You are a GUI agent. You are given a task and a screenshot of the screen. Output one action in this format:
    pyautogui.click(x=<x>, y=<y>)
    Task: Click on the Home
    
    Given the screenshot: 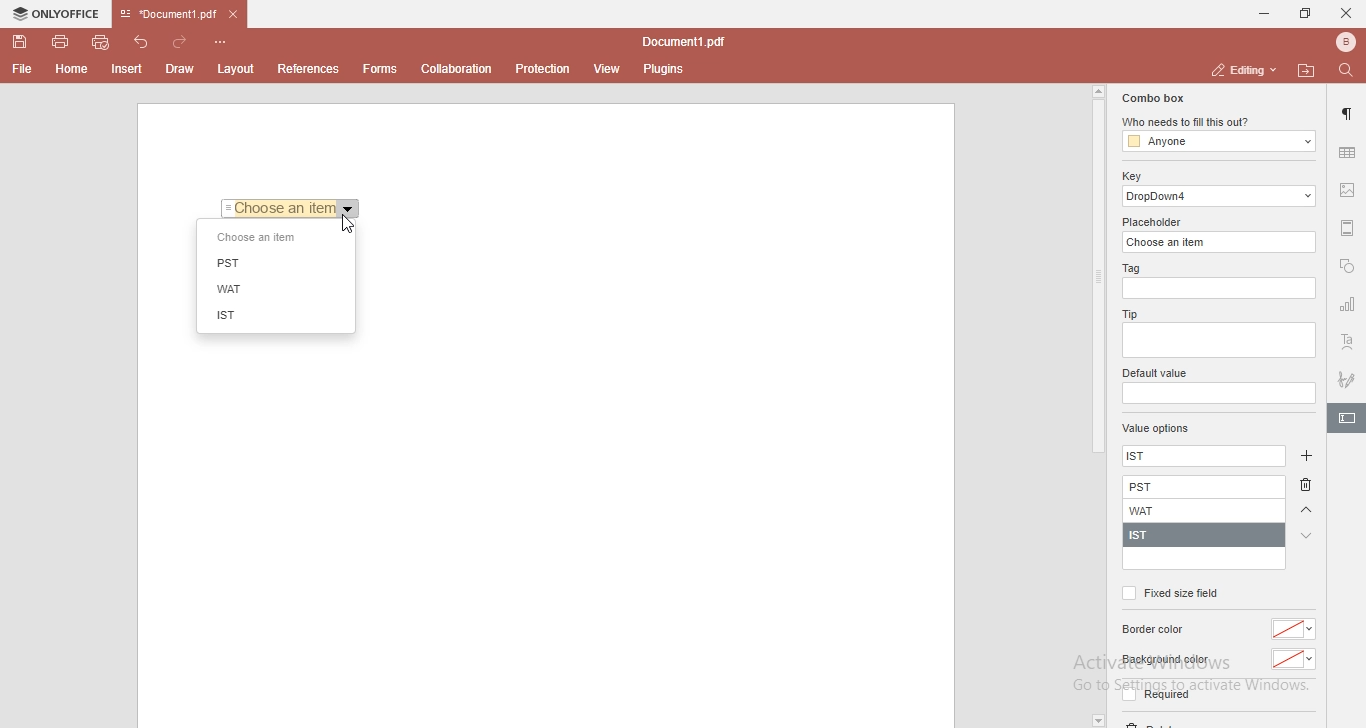 What is the action you would take?
    pyautogui.click(x=73, y=72)
    